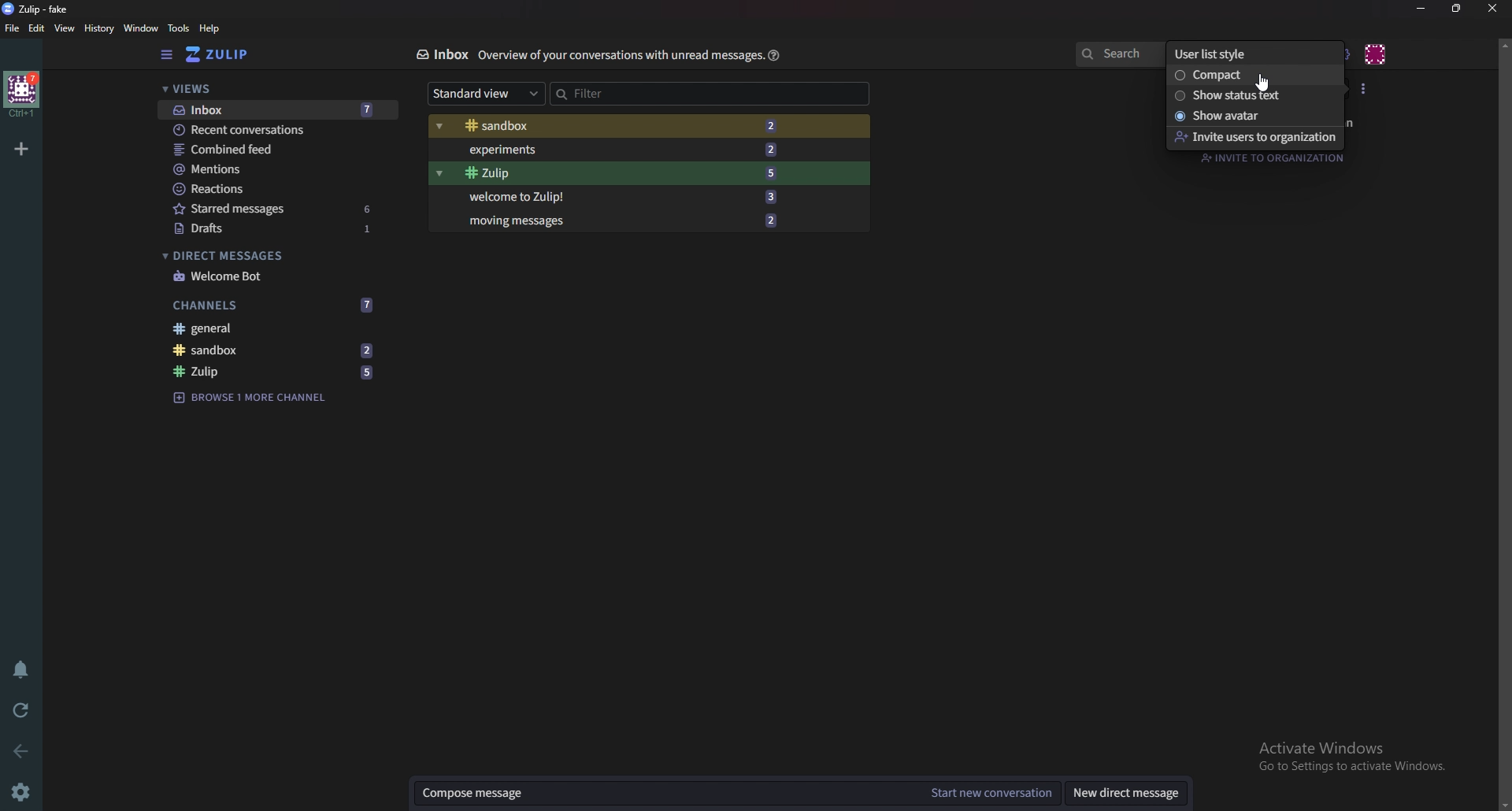  Describe the element at coordinates (487, 94) in the screenshot. I see `Standard view` at that location.